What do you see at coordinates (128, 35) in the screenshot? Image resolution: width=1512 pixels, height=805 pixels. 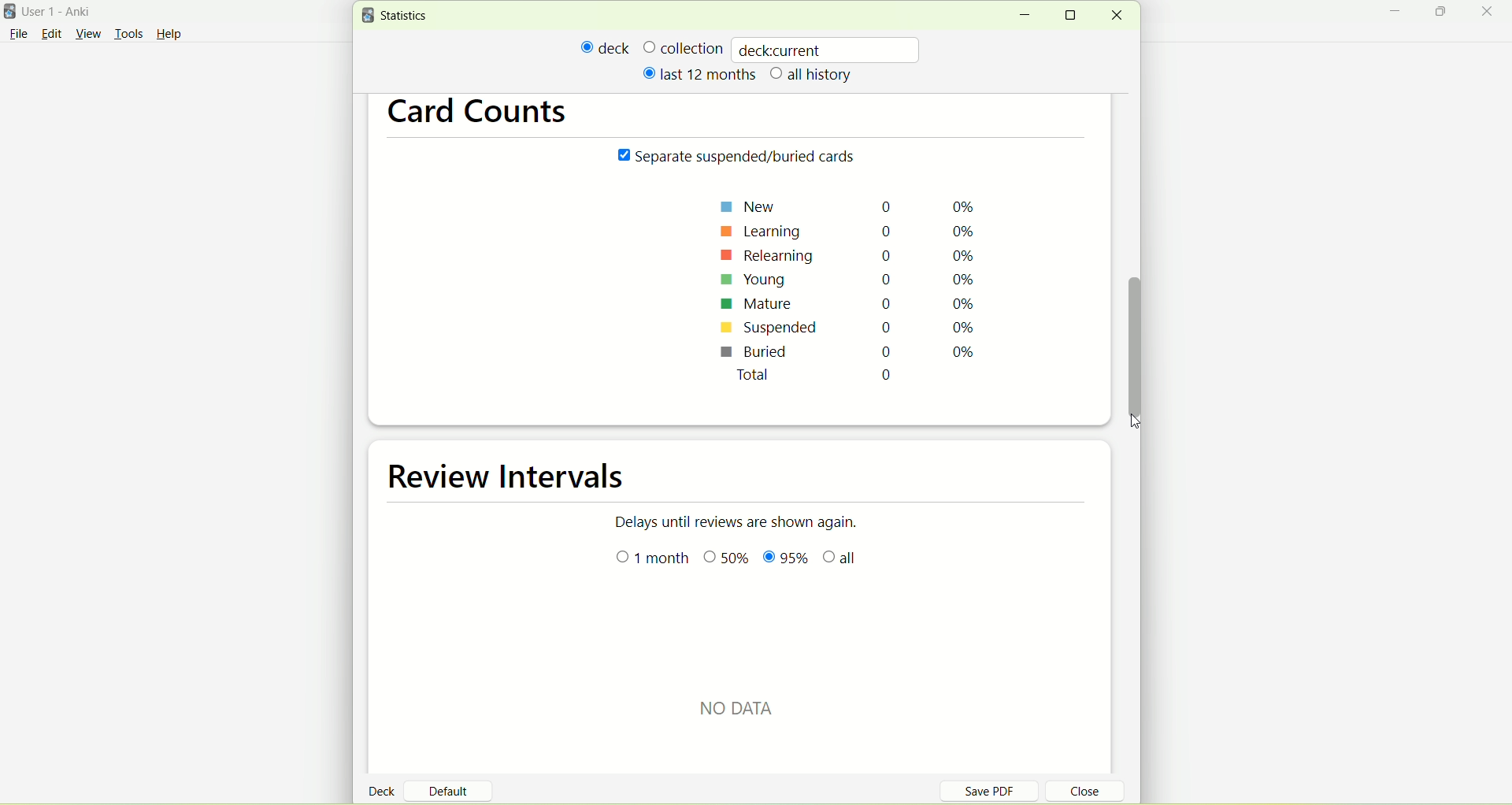 I see `tools` at bounding box center [128, 35].